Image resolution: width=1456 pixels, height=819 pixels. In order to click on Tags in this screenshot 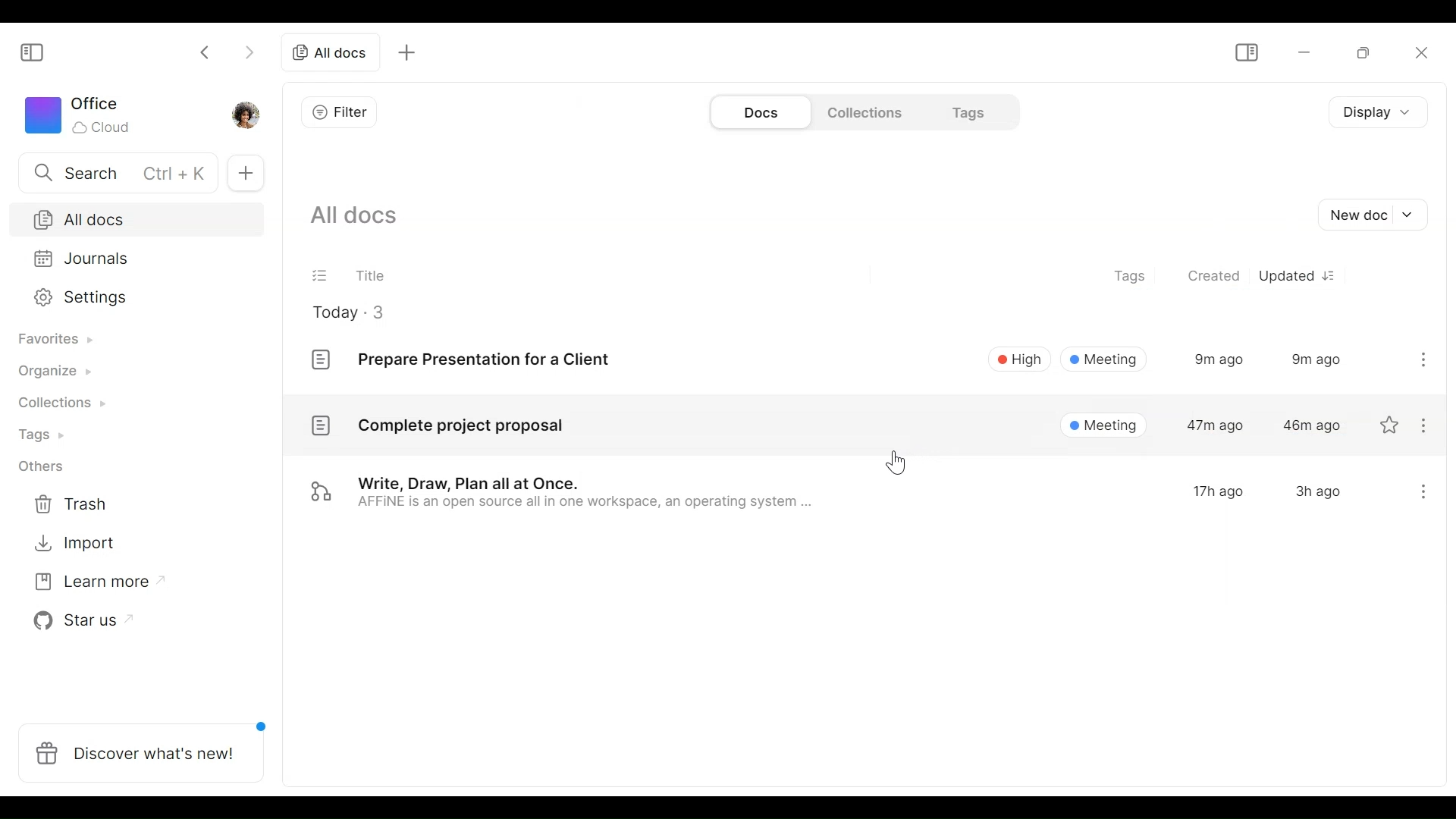, I will do `click(971, 111)`.